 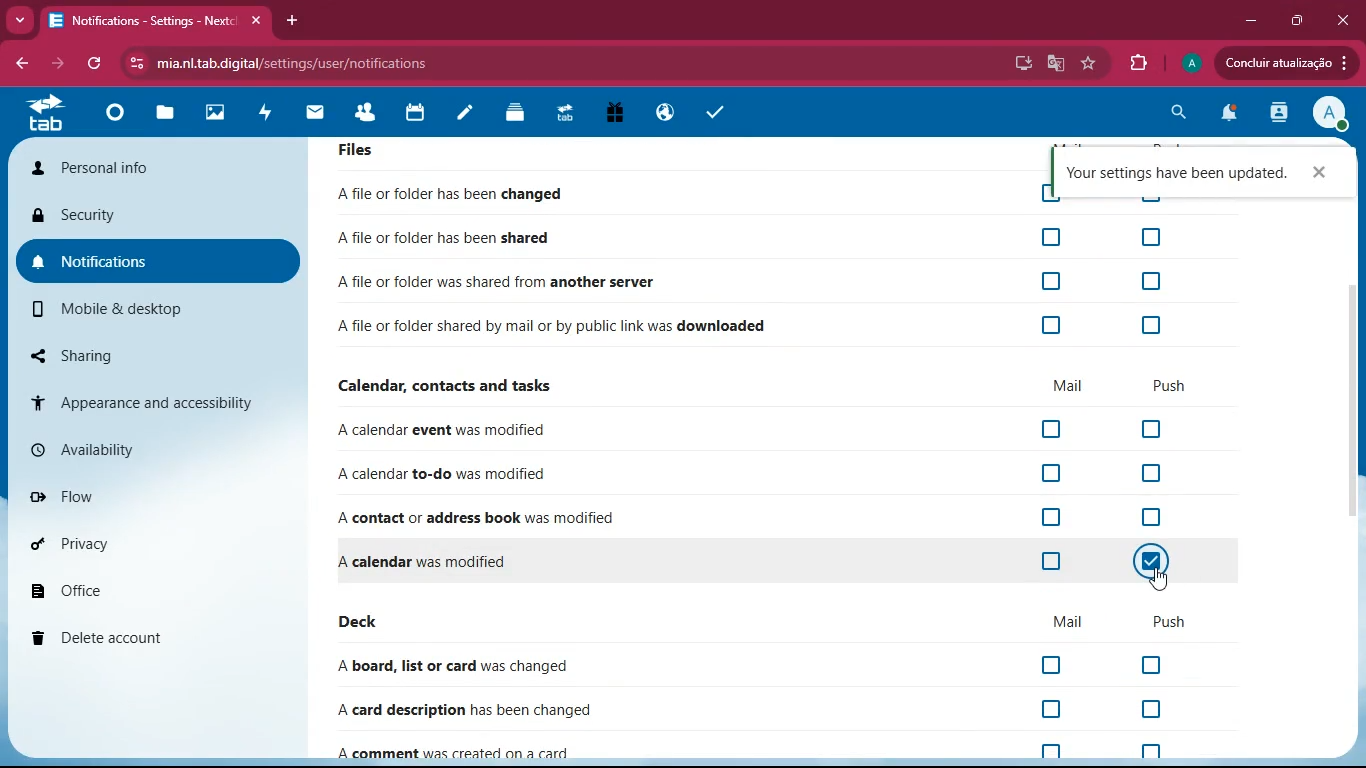 What do you see at coordinates (121, 117) in the screenshot?
I see `home` at bounding box center [121, 117].